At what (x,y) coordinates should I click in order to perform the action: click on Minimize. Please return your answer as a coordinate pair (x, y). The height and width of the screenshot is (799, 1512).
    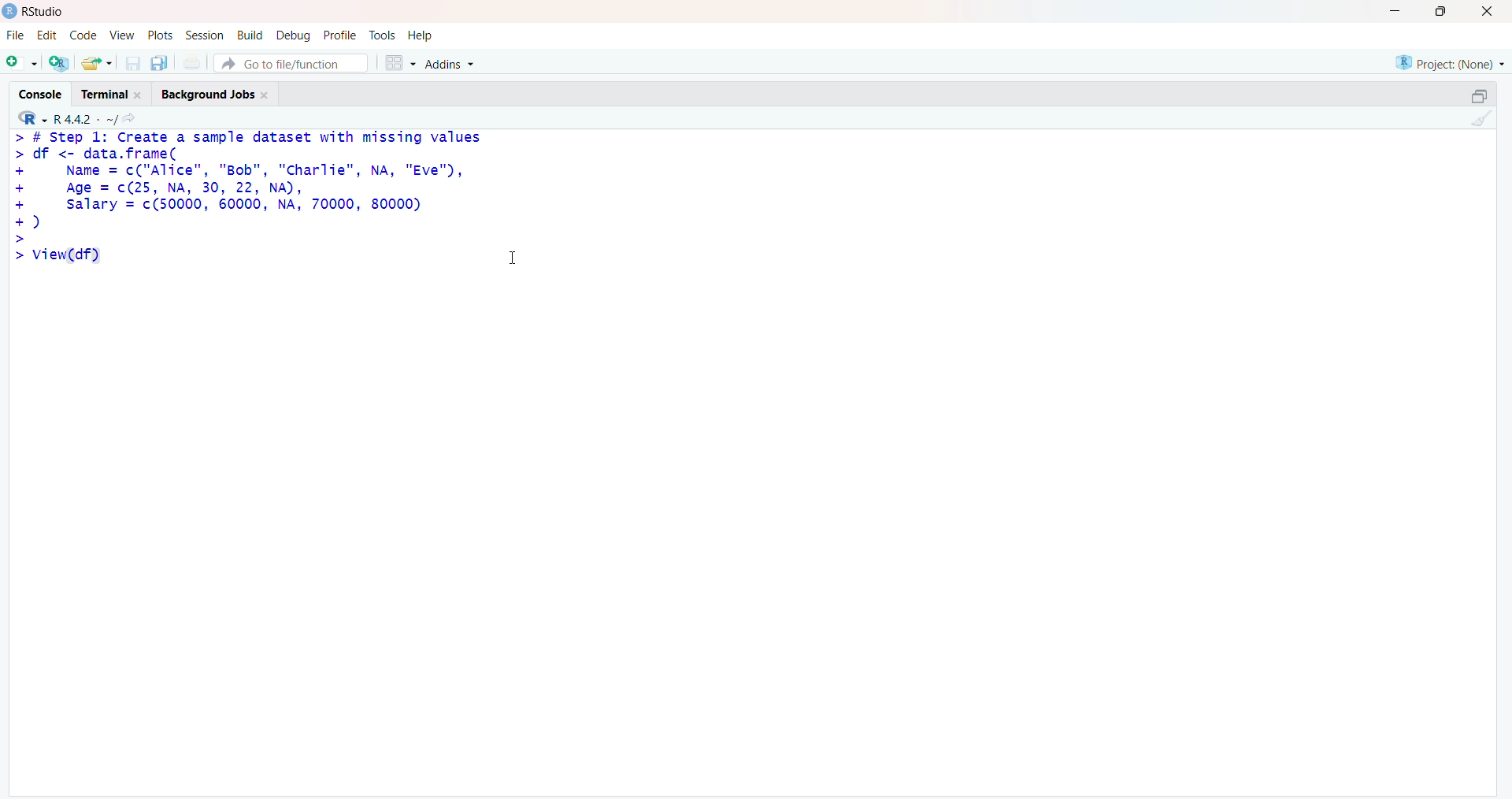
    Looking at the image, I should click on (1392, 11).